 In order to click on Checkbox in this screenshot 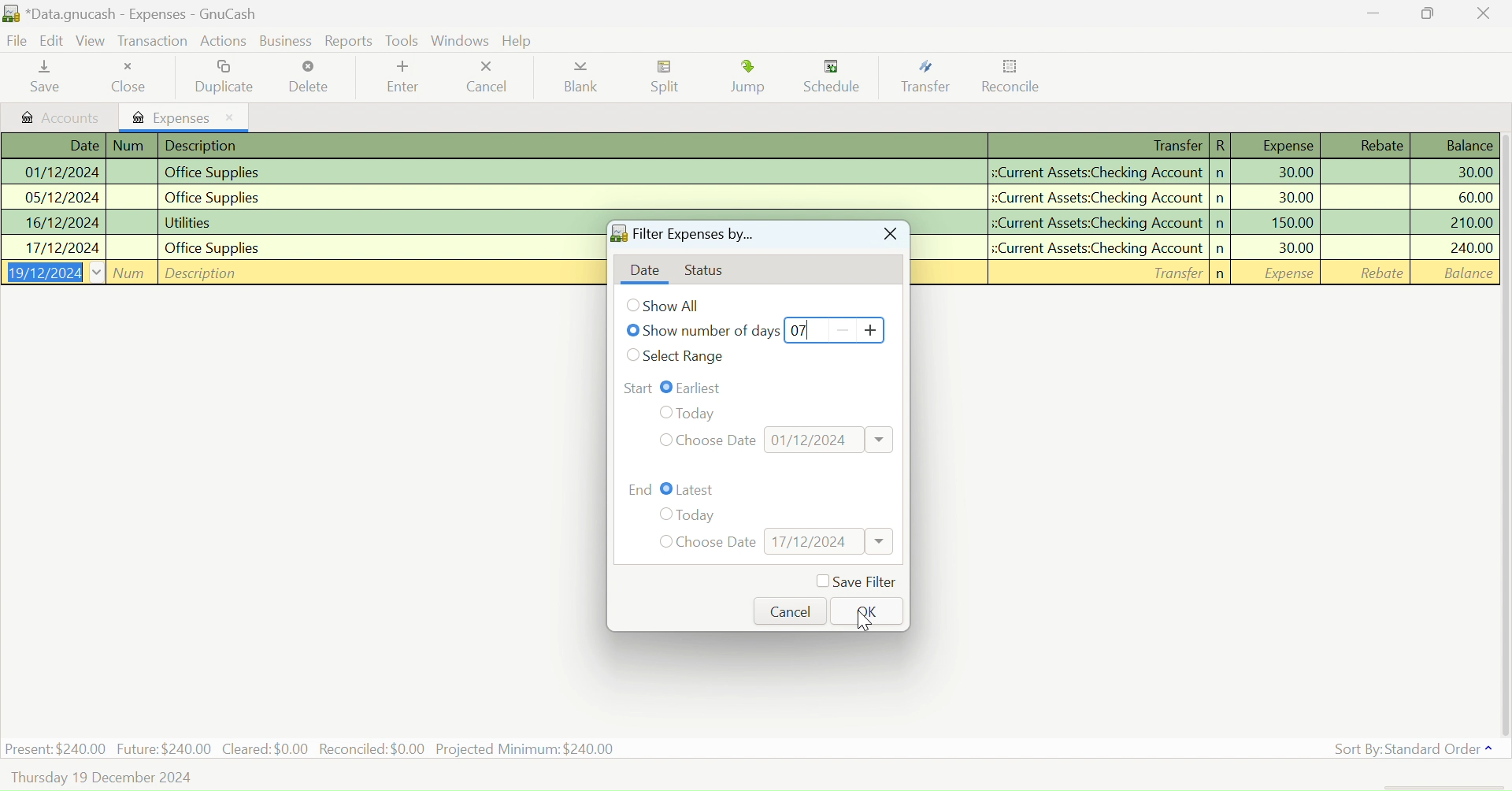, I will do `click(635, 355)`.